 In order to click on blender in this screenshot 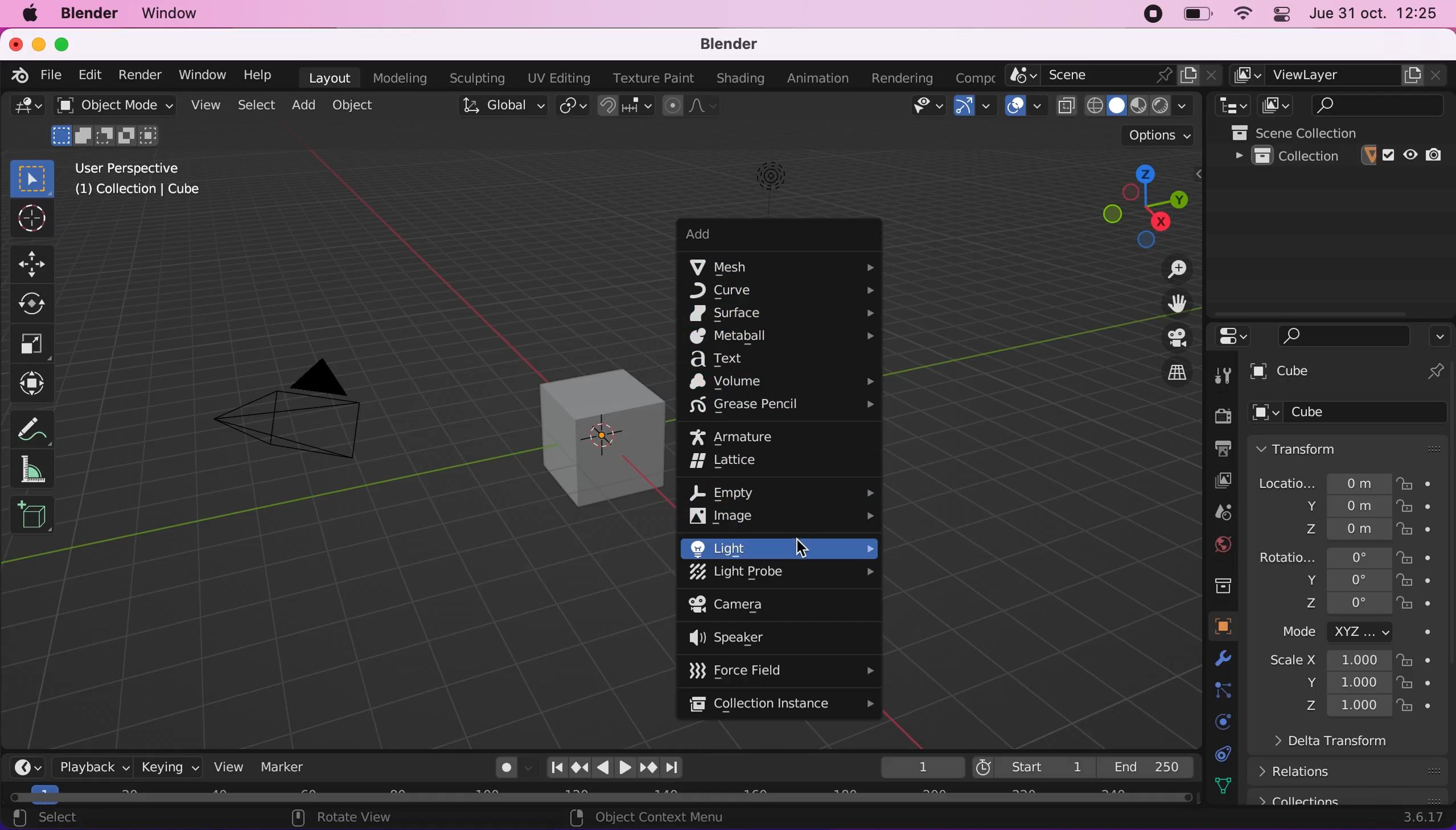, I will do `click(93, 15)`.